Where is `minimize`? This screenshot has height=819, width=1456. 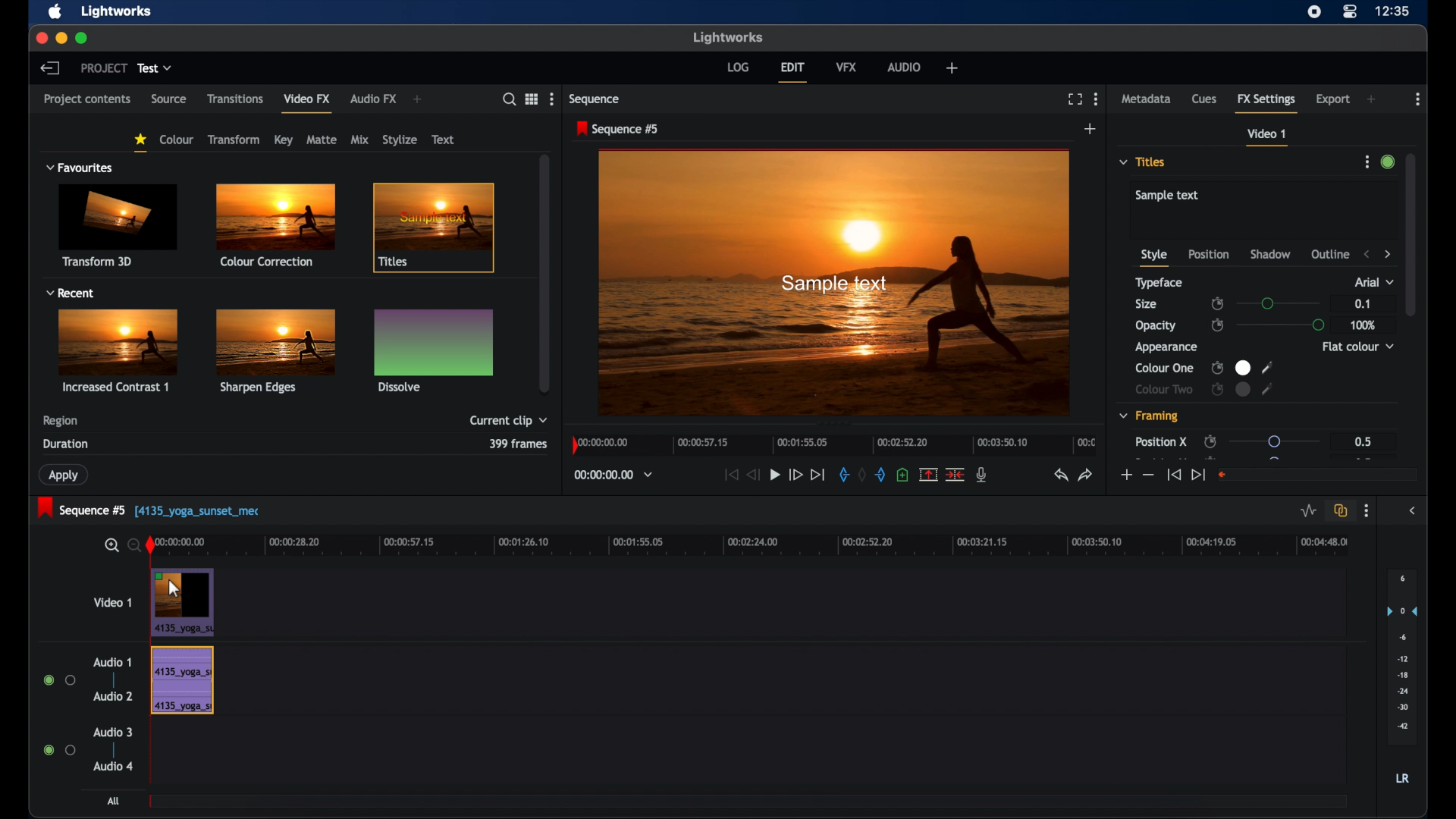 minimize is located at coordinates (61, 38).